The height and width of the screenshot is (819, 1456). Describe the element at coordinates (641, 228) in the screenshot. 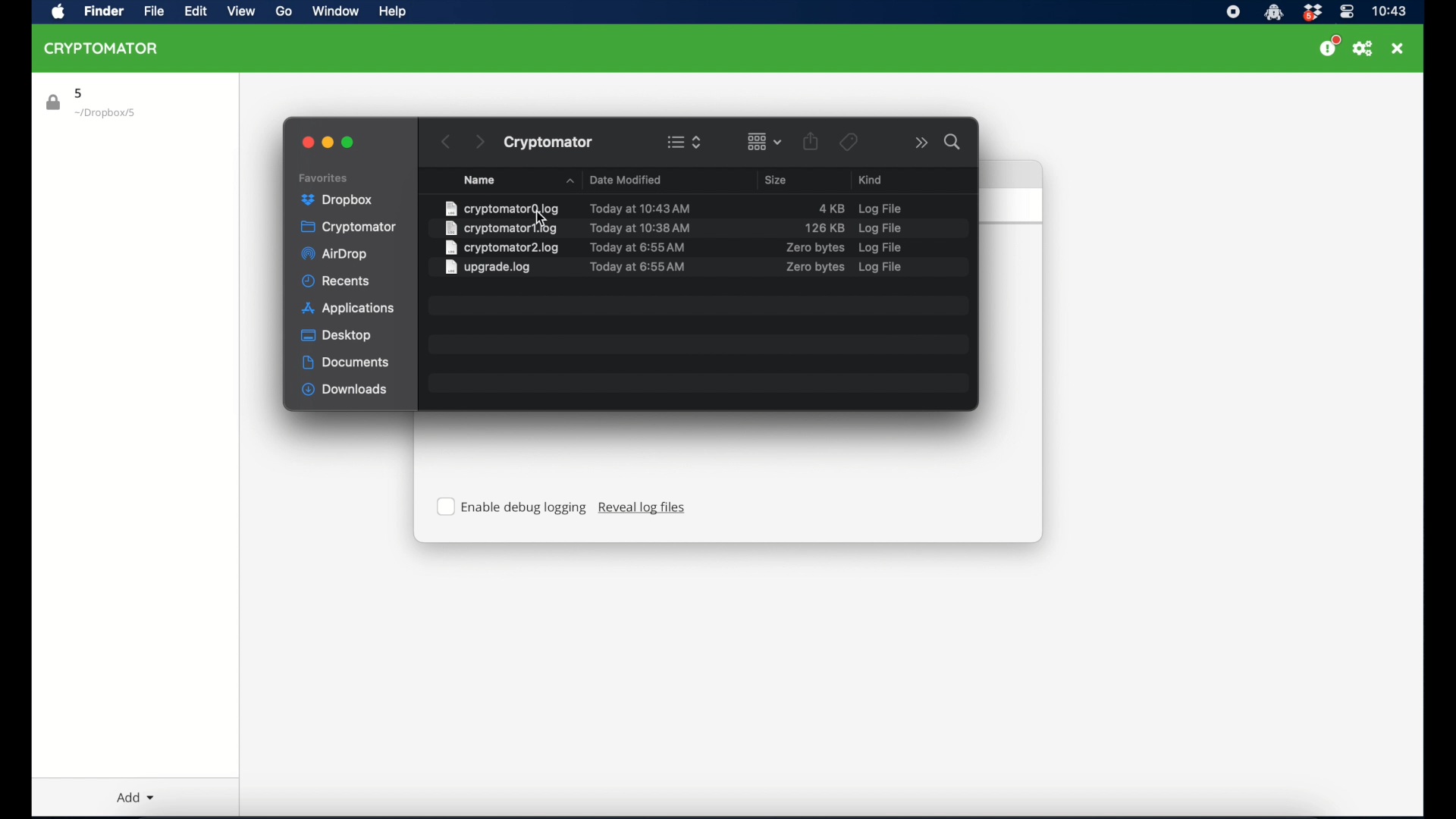

I see `date` at that location.